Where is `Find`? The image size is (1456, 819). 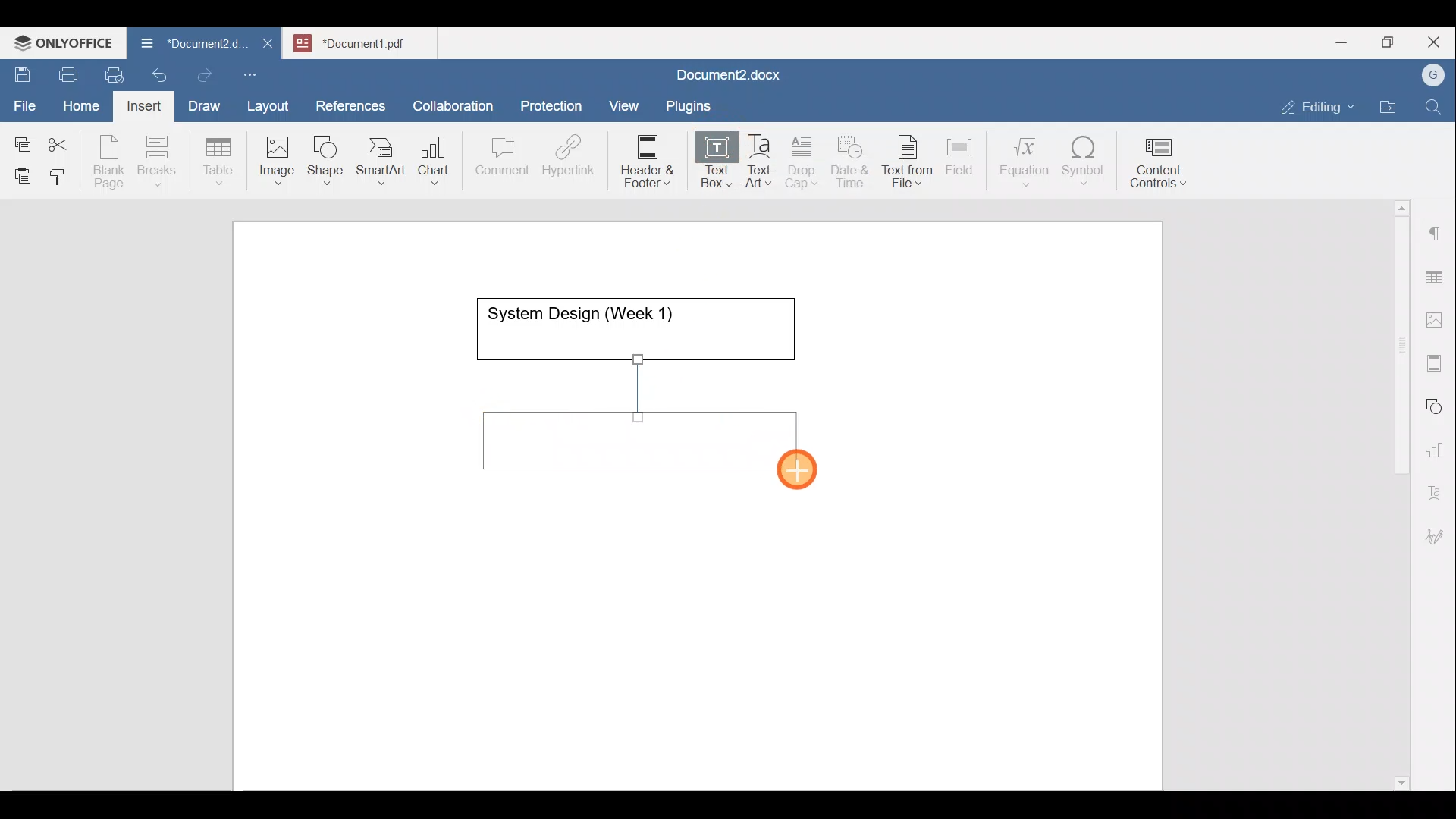
Find is located at coordinates (1435, 108).